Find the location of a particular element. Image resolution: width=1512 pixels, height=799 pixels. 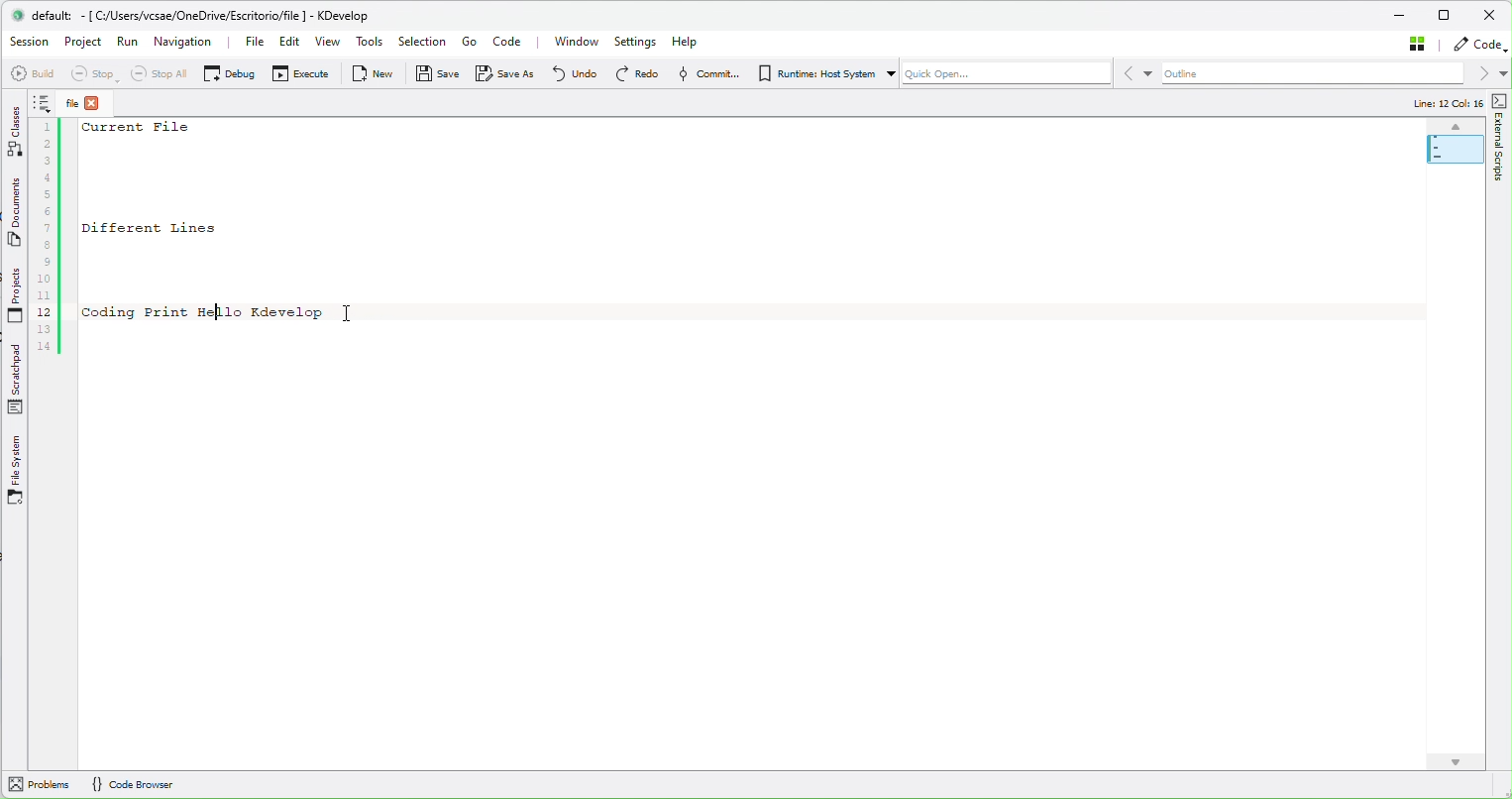

Help is located at coordinates (696, 43).